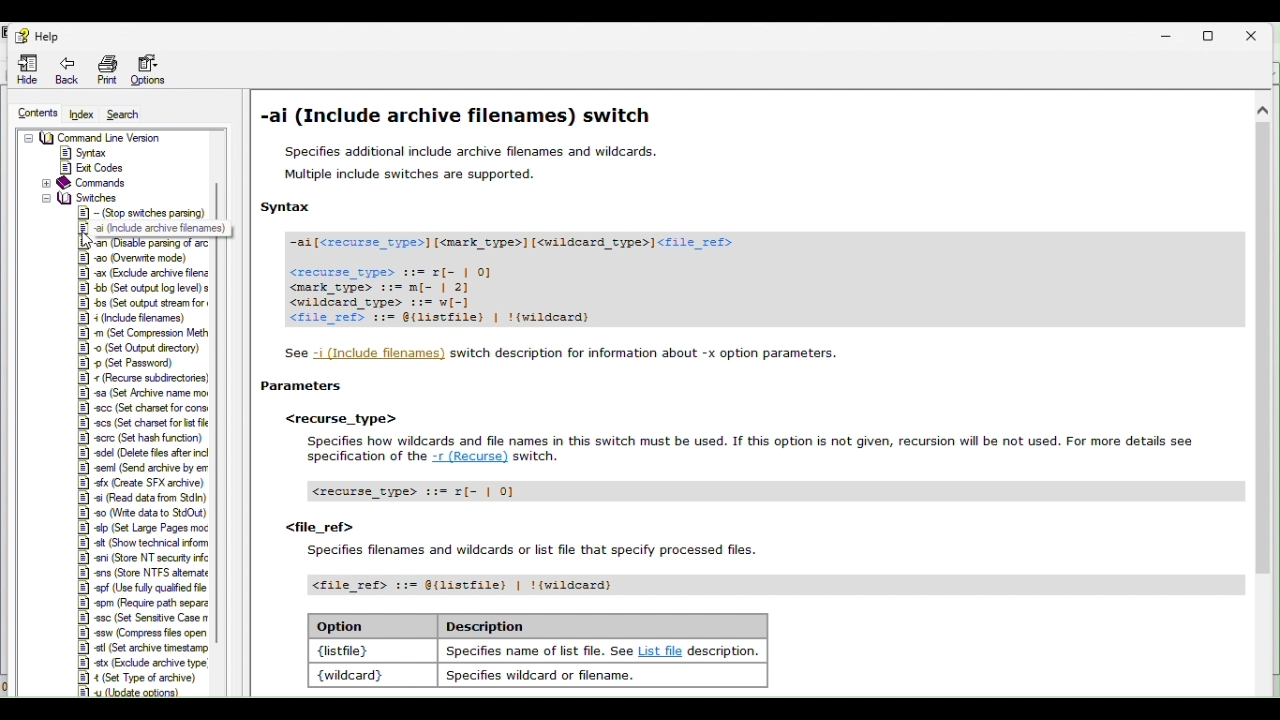 The height and width of the screenshot is (720, 1280). Describe the element at coordinates (145, 243) in the screenshot. I see `Usable parsing of arc` at that location.